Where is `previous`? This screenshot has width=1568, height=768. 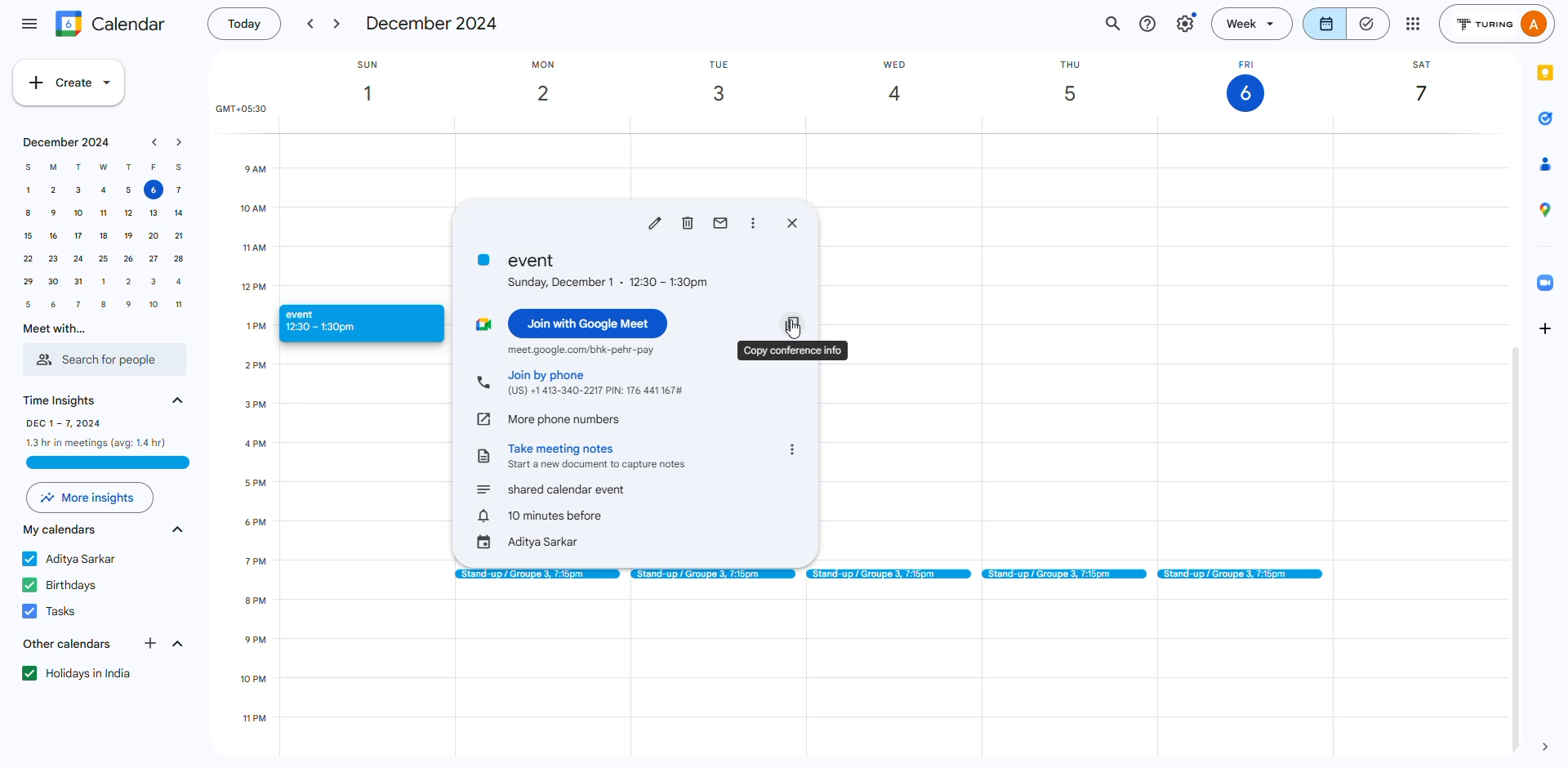
previous is located at coordinates (309, 25).